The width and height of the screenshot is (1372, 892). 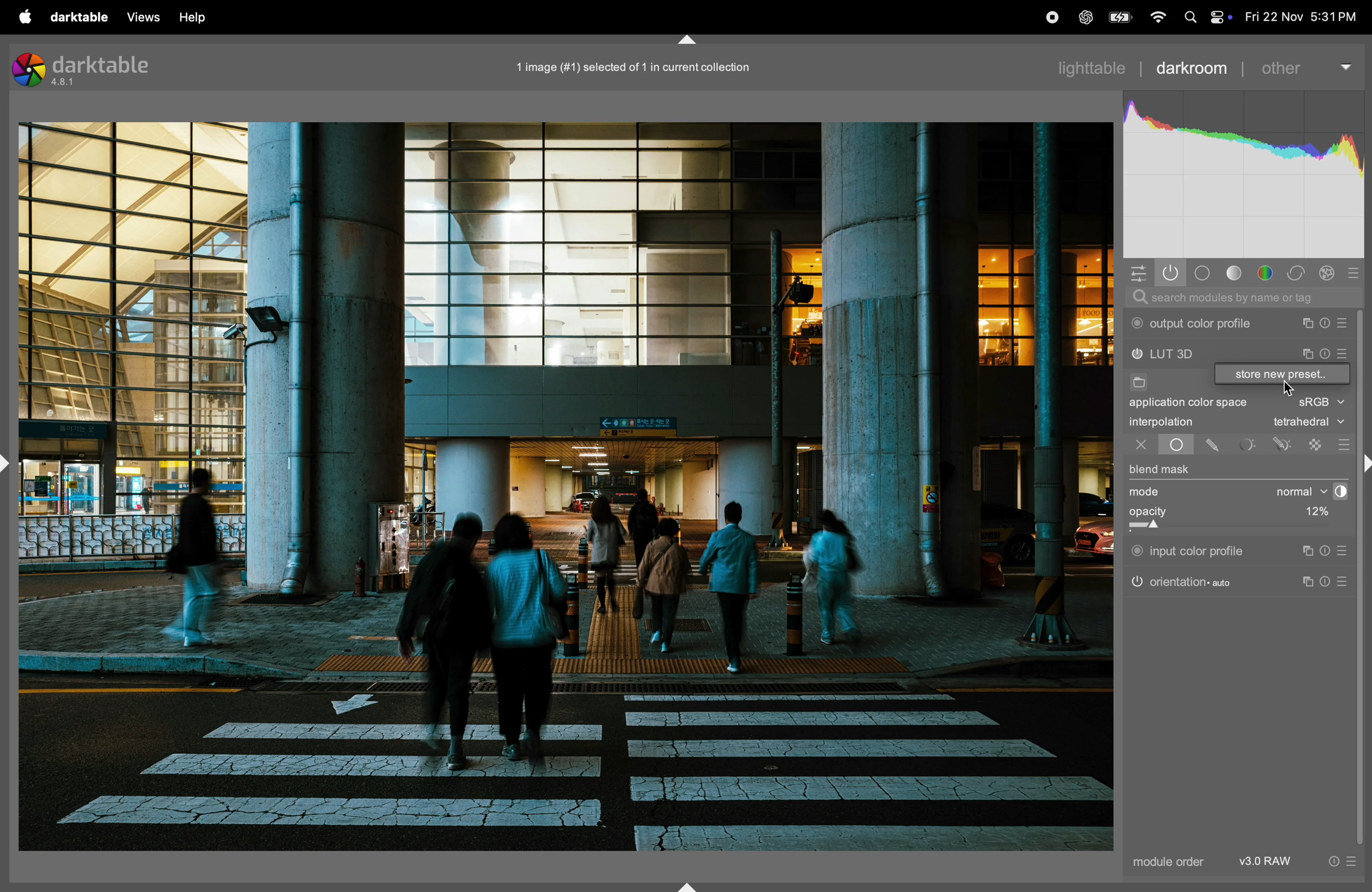 What do you see at coordinates (1329, 323) in the screenshot?
I see `reset parameters` at bounding box center [1329, 323].